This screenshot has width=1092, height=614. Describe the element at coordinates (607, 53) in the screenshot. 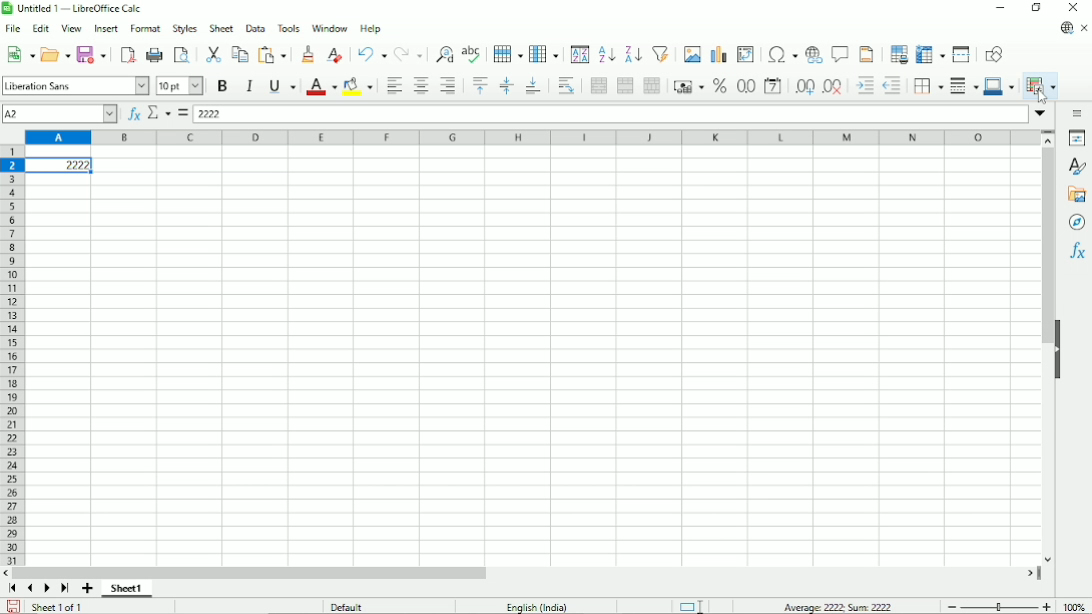

I see `Sort ascending` at that location.